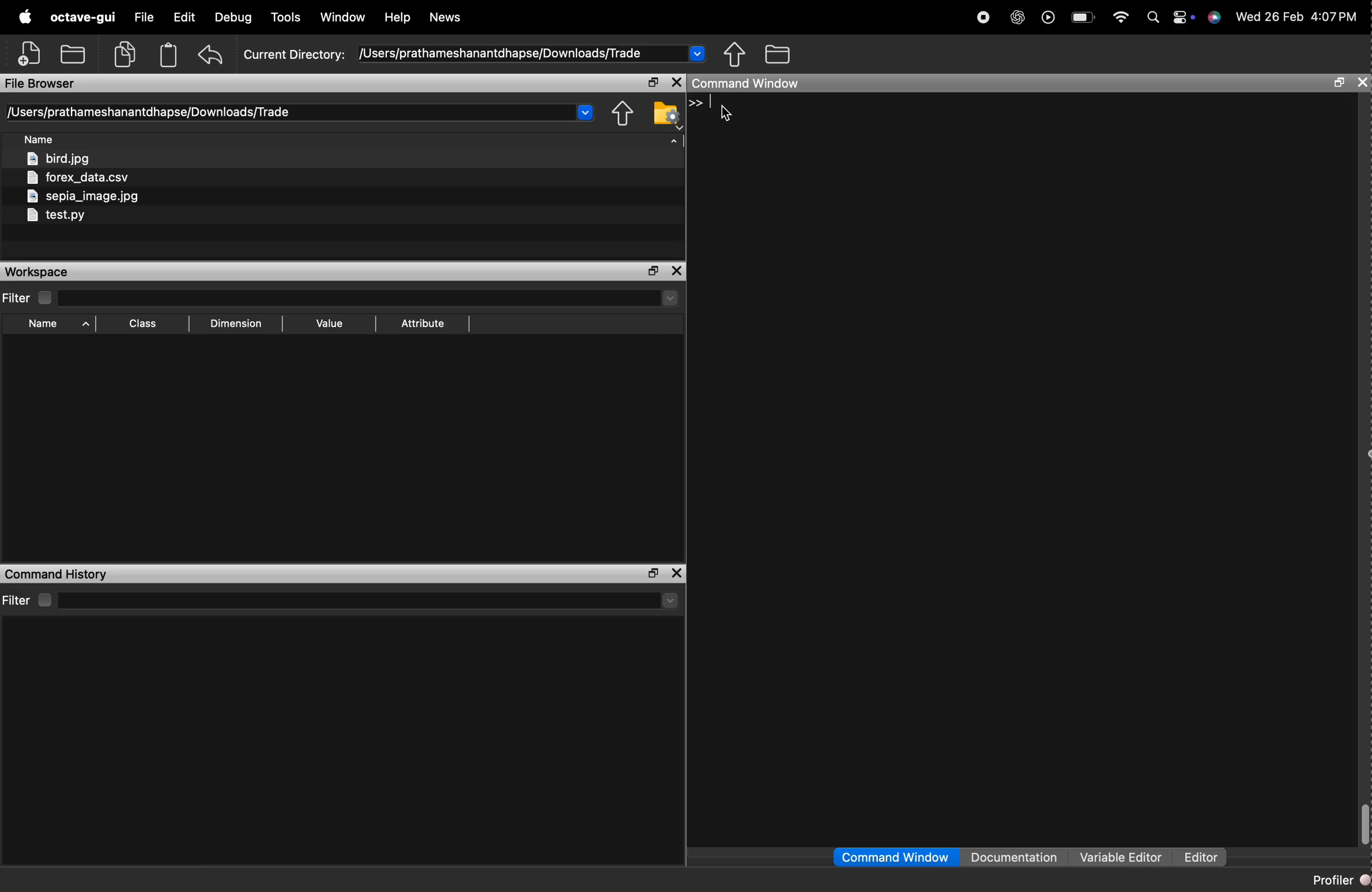  I want to click on folder settings, so click(668, 115).